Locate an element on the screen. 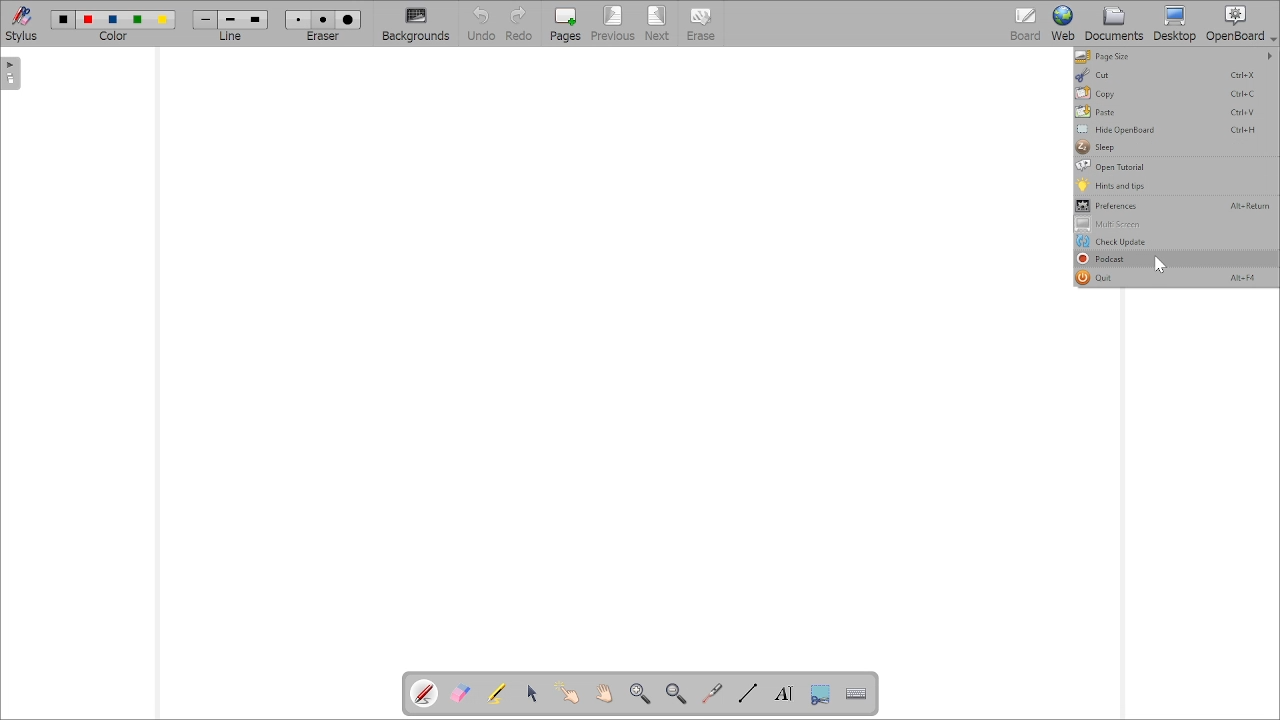 Image resolution: width=1280 pixels, height=720 pixels. Write text is located at coordinates (782, 694).